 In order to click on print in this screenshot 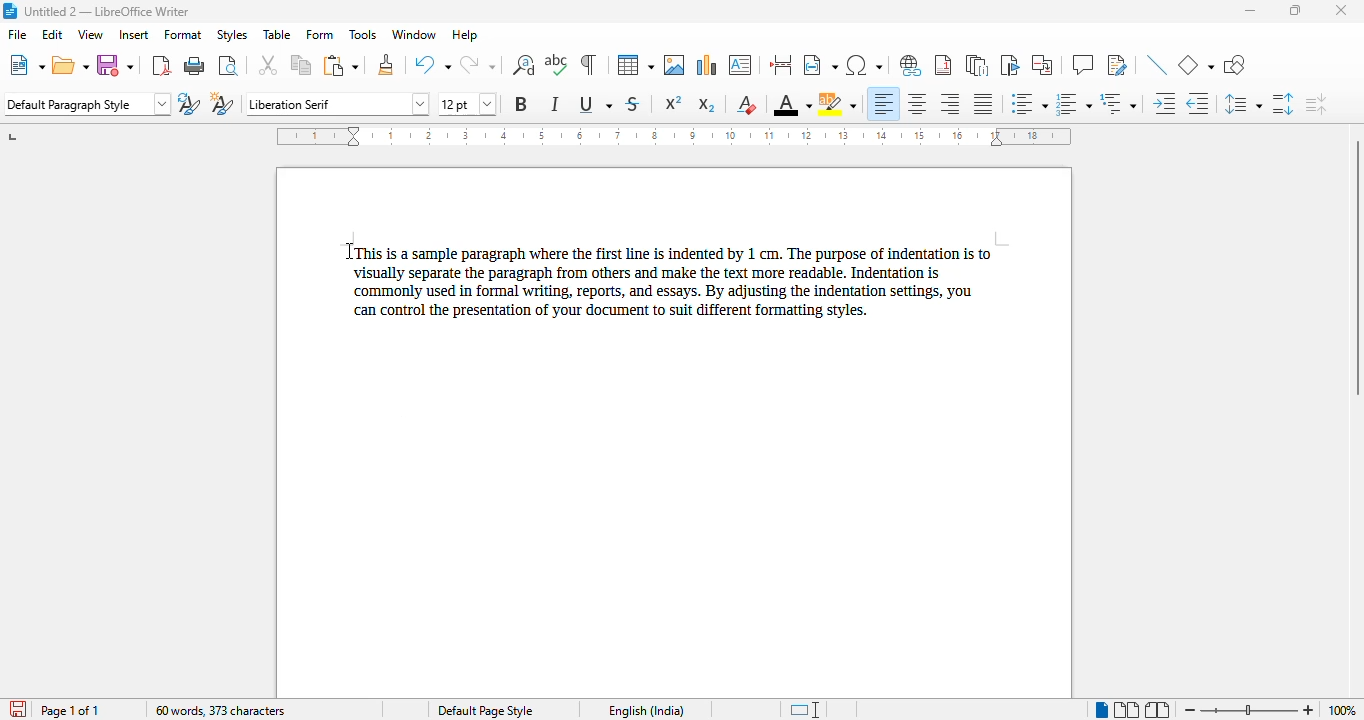, I will do `click(195, 64)`.